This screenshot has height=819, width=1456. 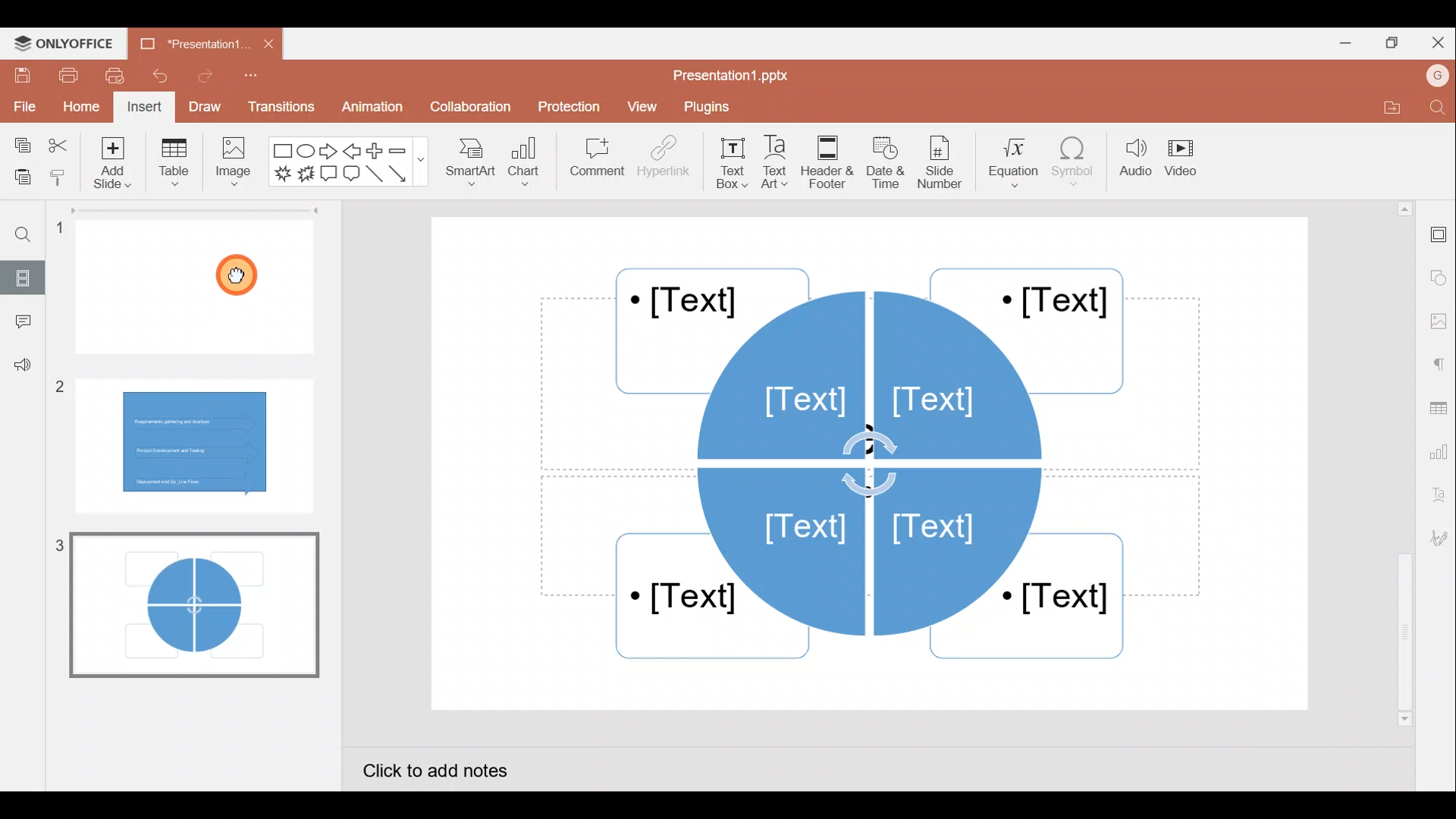 What do you see at coordinates (262, 42) in the screenshot?
I see `Close document` at bounding box center [262, 42].